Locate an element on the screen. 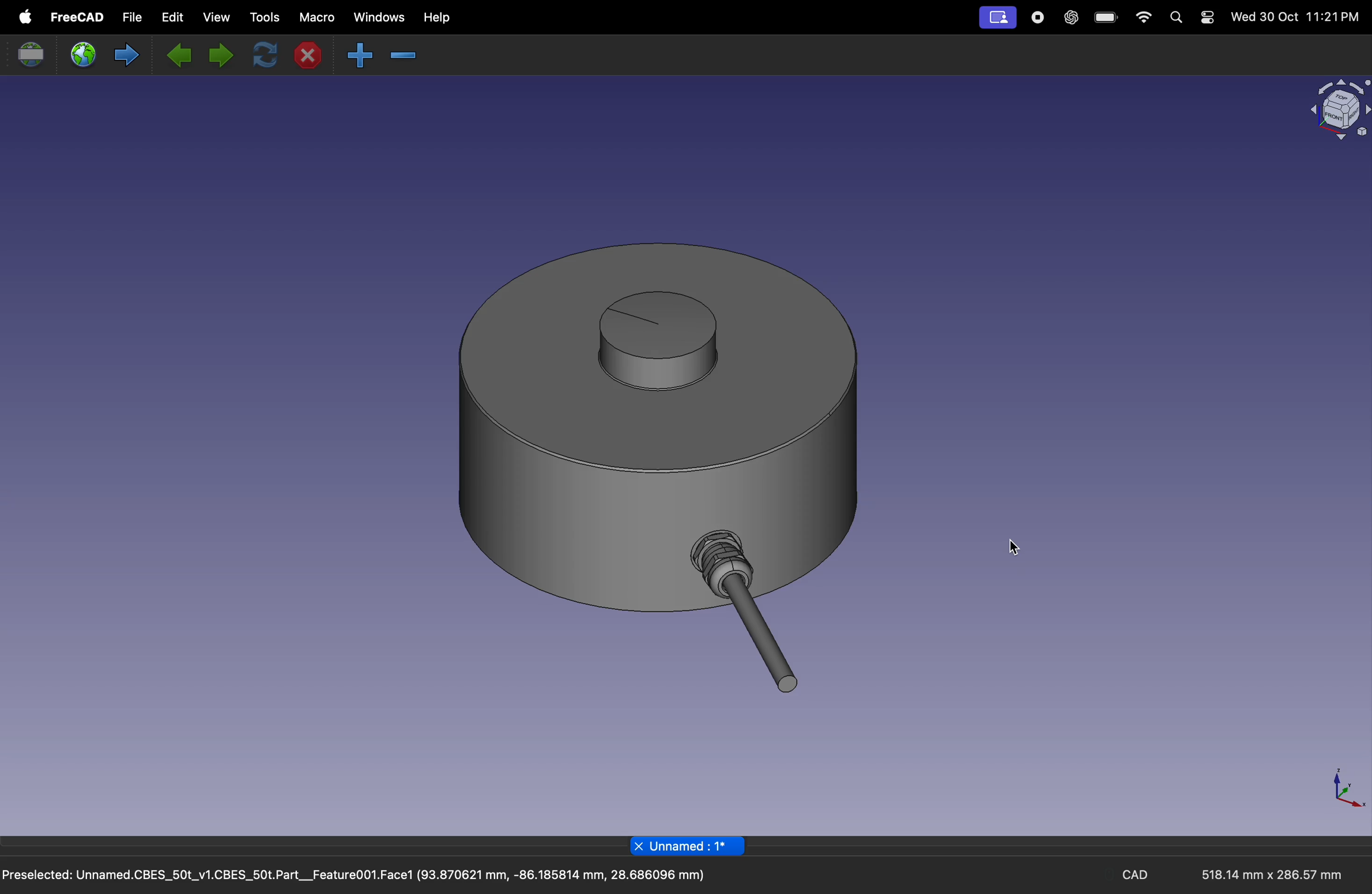 The image size is (1372, 894). record is located at coordinates (1037, 18).